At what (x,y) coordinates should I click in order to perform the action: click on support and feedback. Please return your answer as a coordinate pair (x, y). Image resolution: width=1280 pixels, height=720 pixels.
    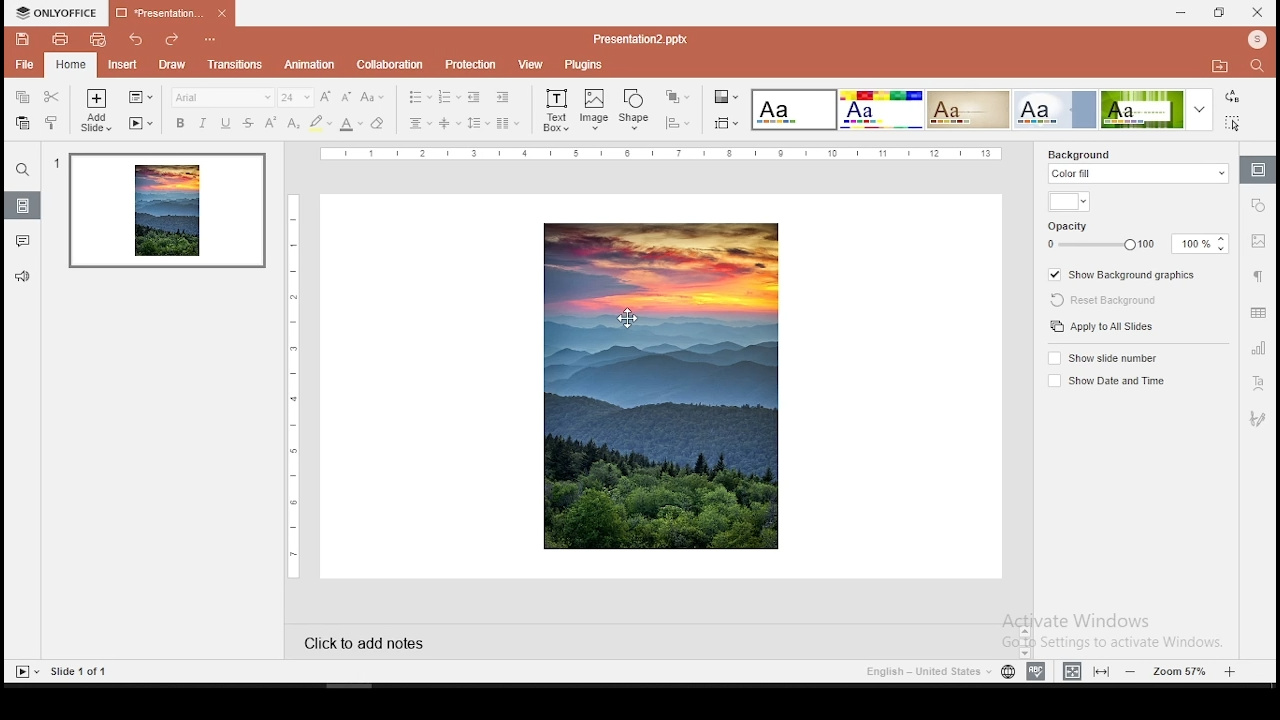
    Looking at the image, I should click on (22, 278).